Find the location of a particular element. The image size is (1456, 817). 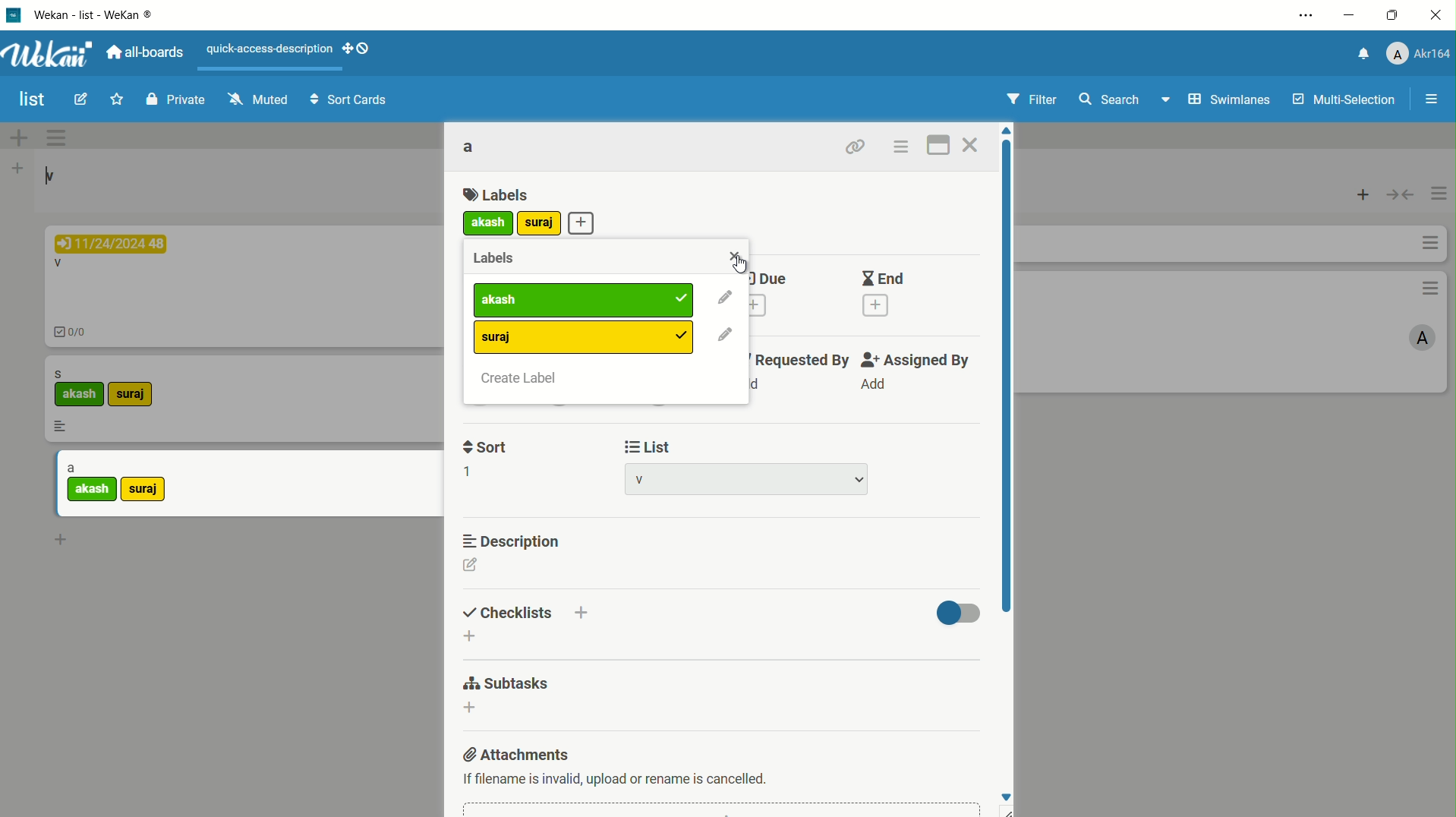

description is located at coordinates (509, 541).